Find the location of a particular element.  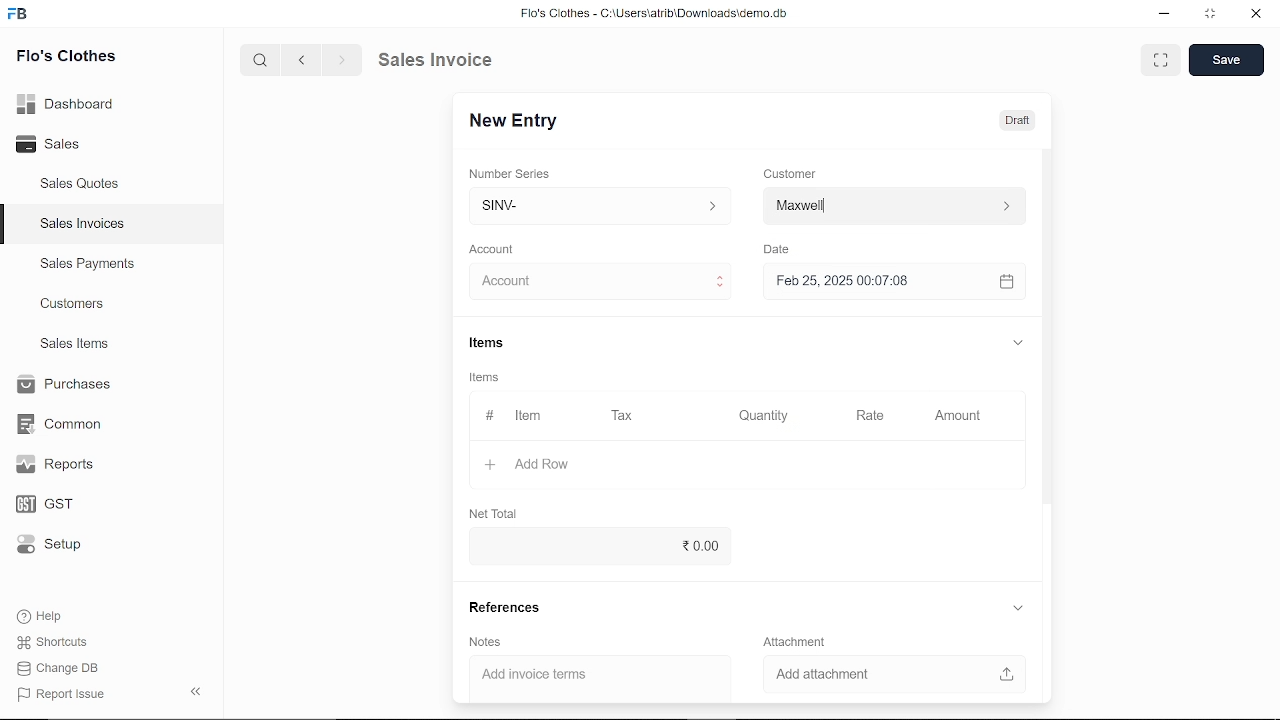

Dashboard is located at coordinates (67, 107).